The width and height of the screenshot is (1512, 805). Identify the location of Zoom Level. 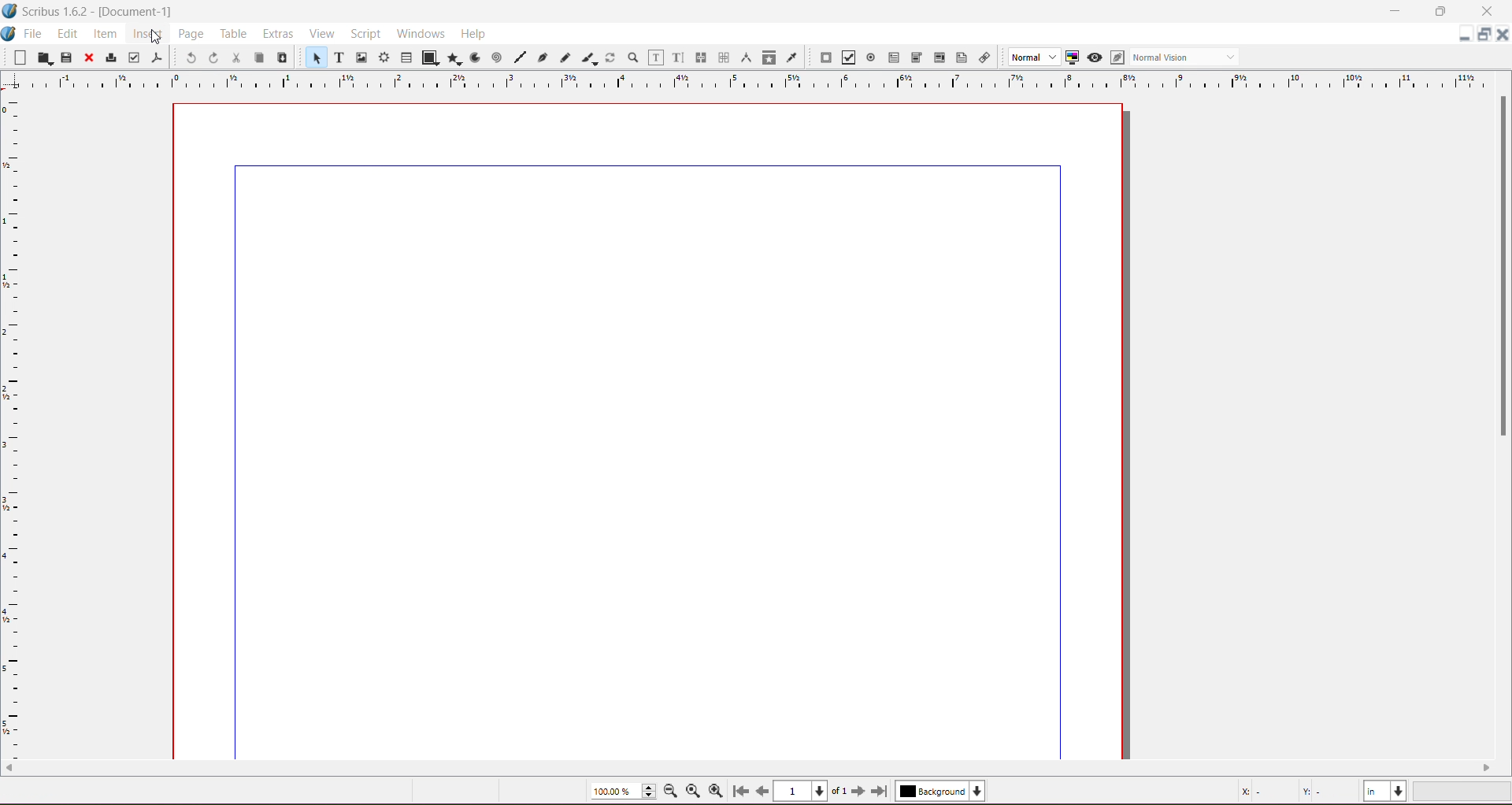
(1464, 792).